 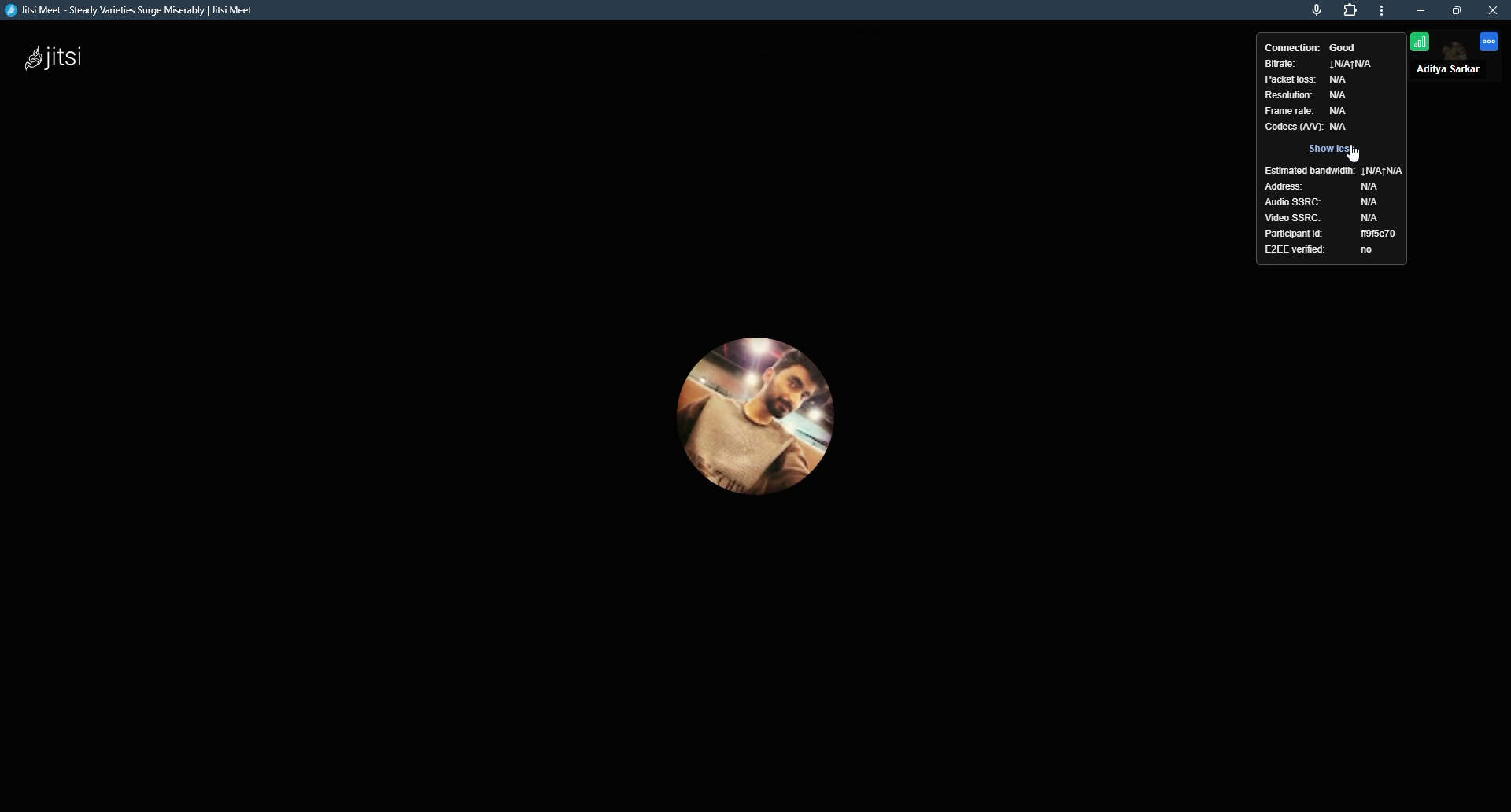 What do you see at coordinates (1384, 10) in the screenshot?
I see `more` at bounding box center [1384, 10].